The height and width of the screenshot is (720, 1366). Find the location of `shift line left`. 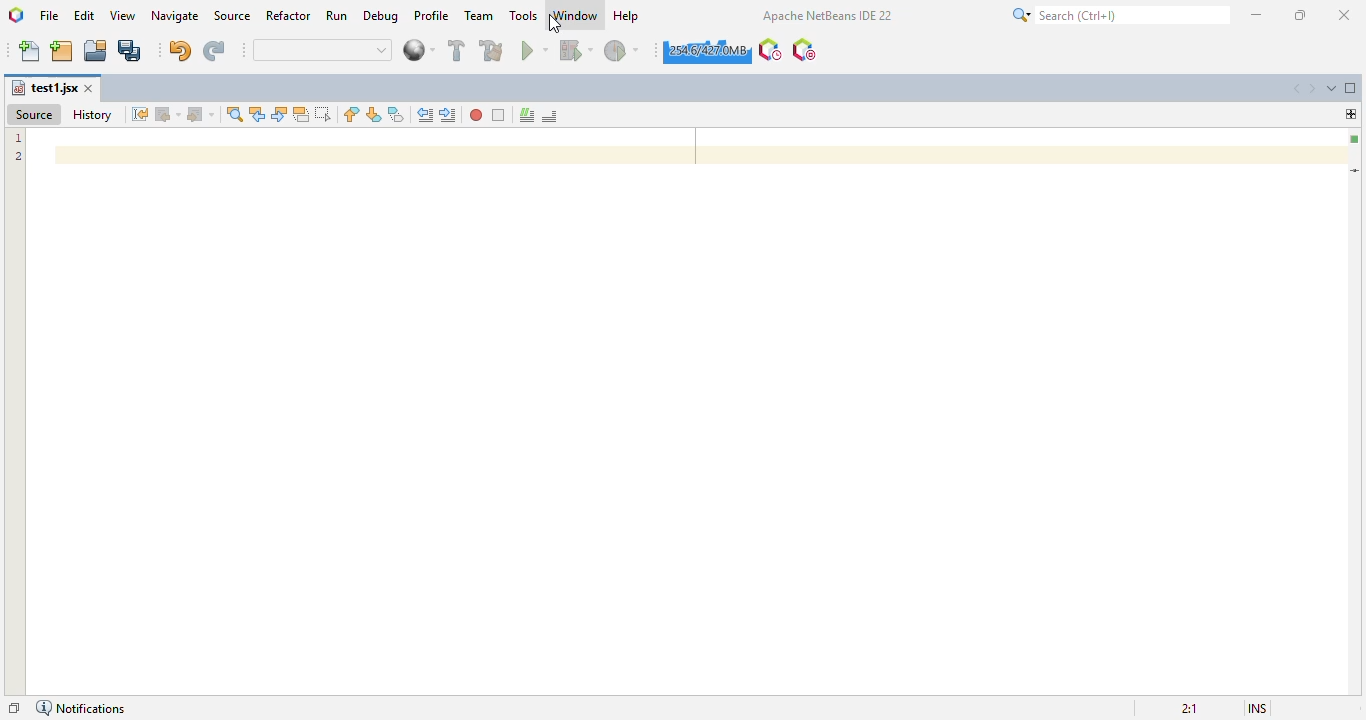

shift line left is located at coordinates (426, 114).